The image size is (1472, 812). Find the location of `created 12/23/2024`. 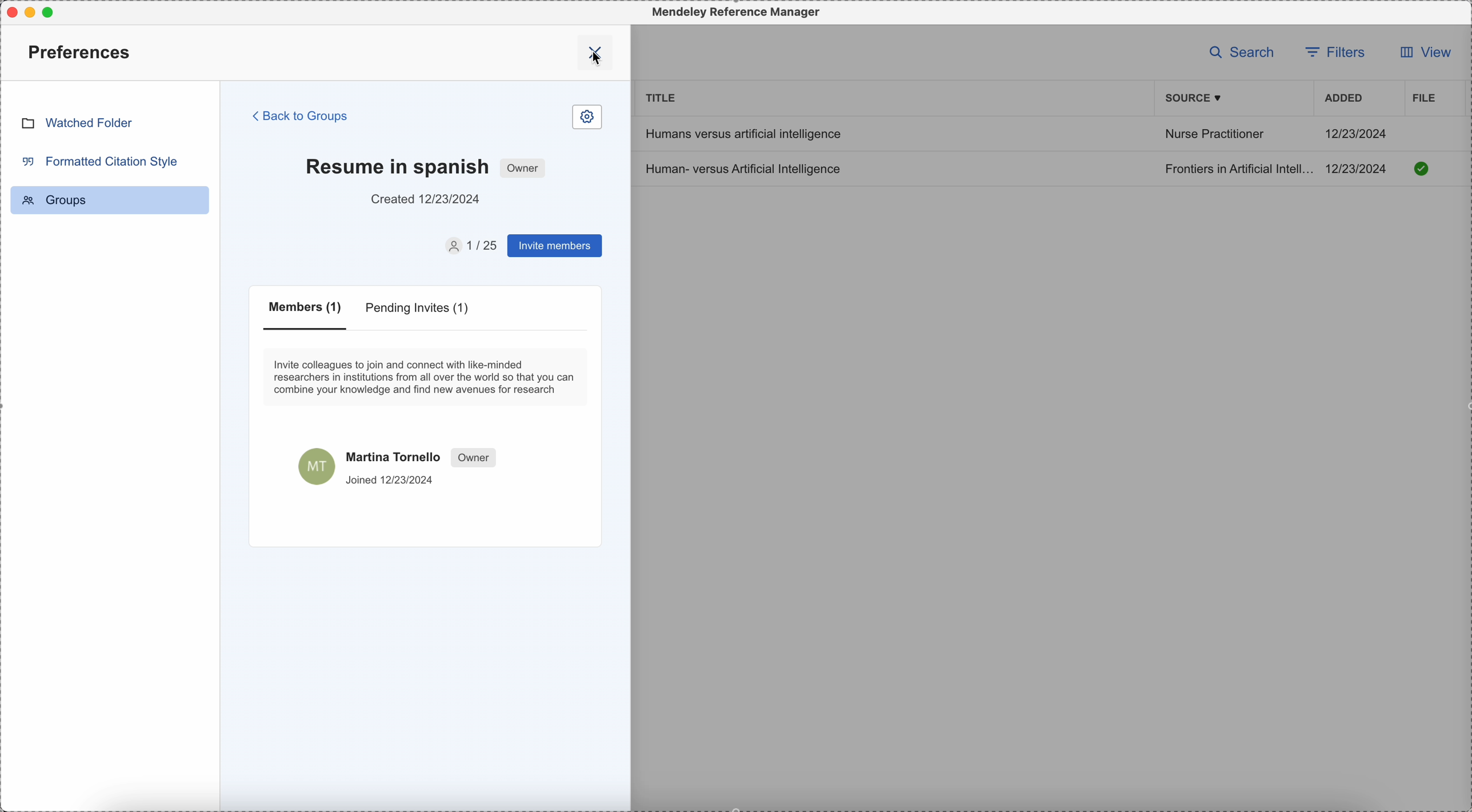

created 12/23/2024 is located at coordinates (427, 199).